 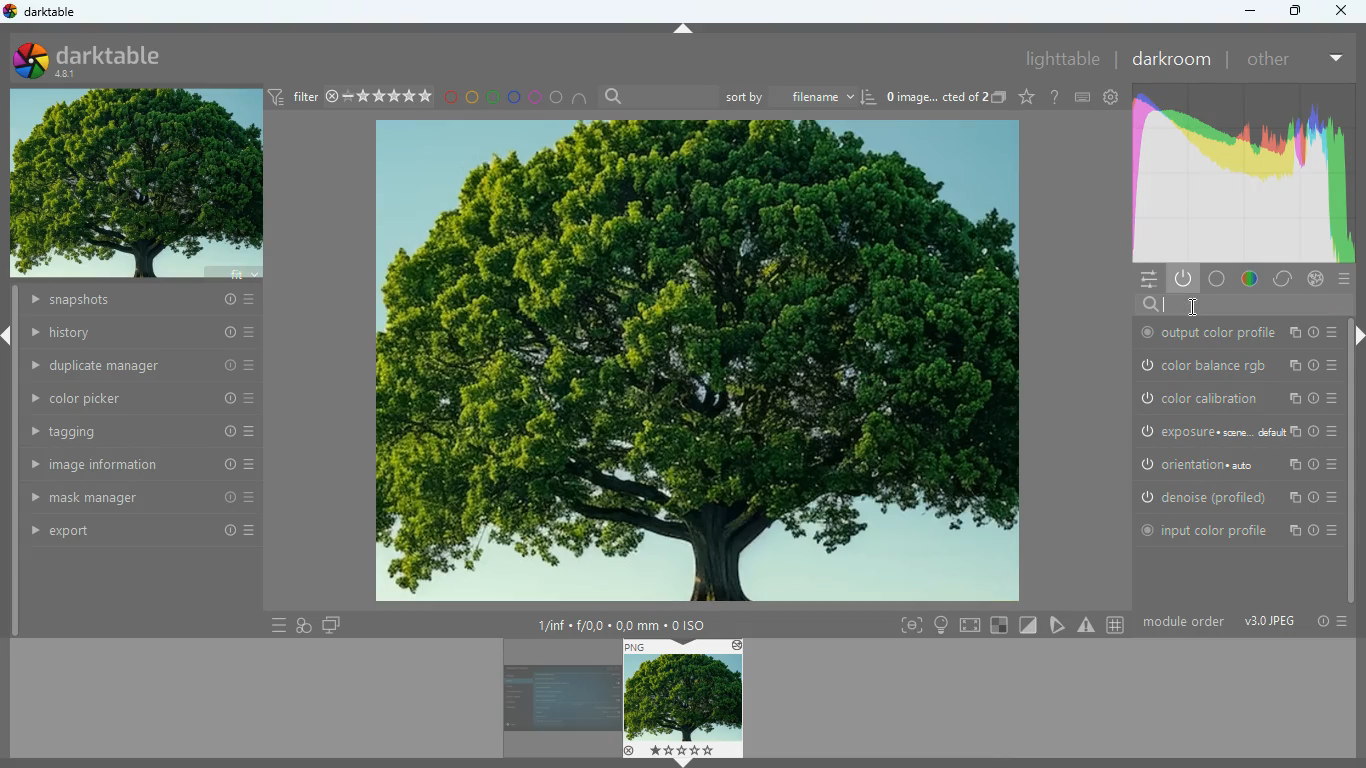 What do you see at coordinates (1144, 280) in the screenshot?
I see `menu` at bounding box center [1144, 280].